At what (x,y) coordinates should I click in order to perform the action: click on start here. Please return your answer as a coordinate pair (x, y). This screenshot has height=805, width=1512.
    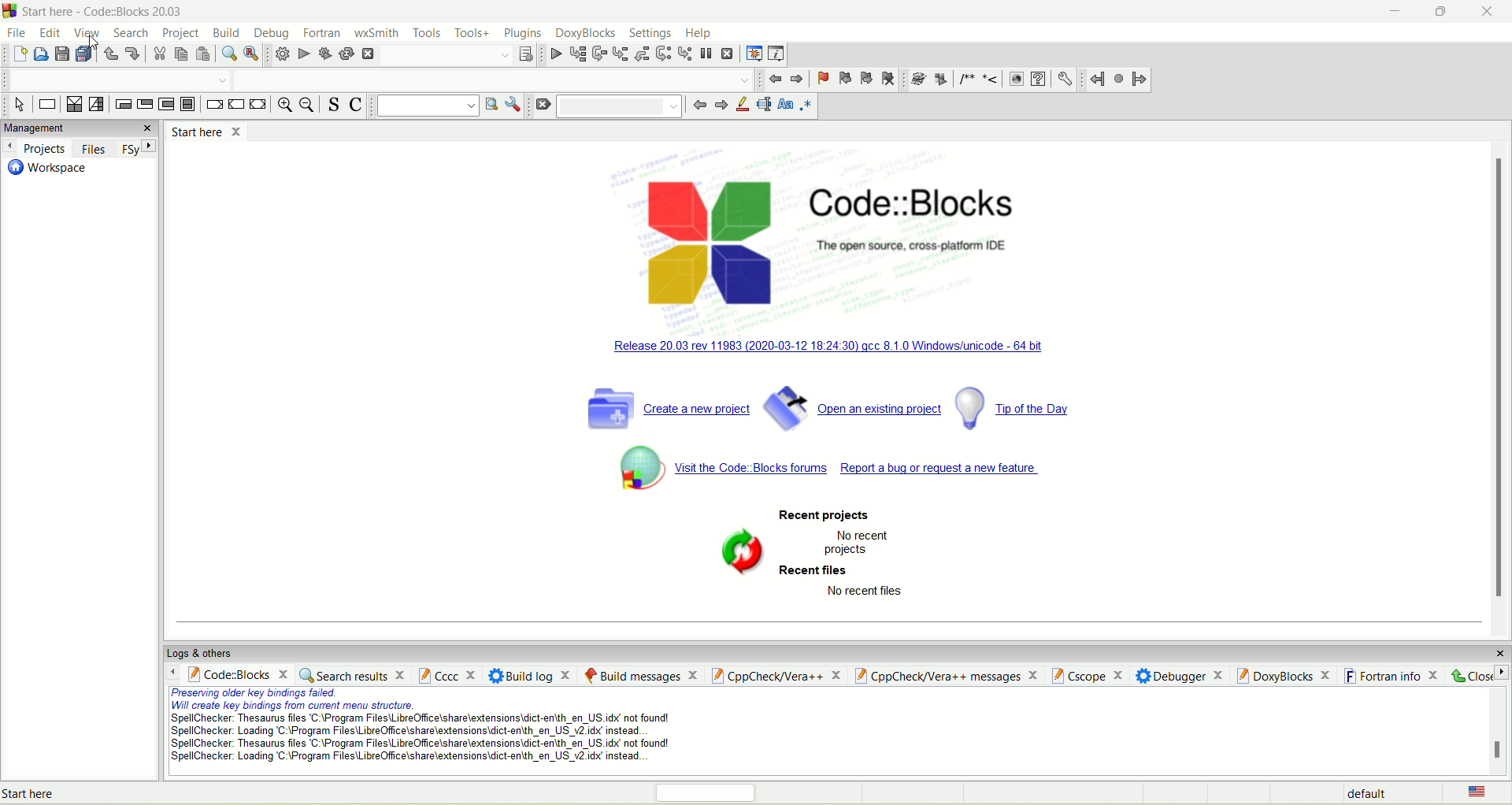
    Looking at the image, I should click on (206, 130).